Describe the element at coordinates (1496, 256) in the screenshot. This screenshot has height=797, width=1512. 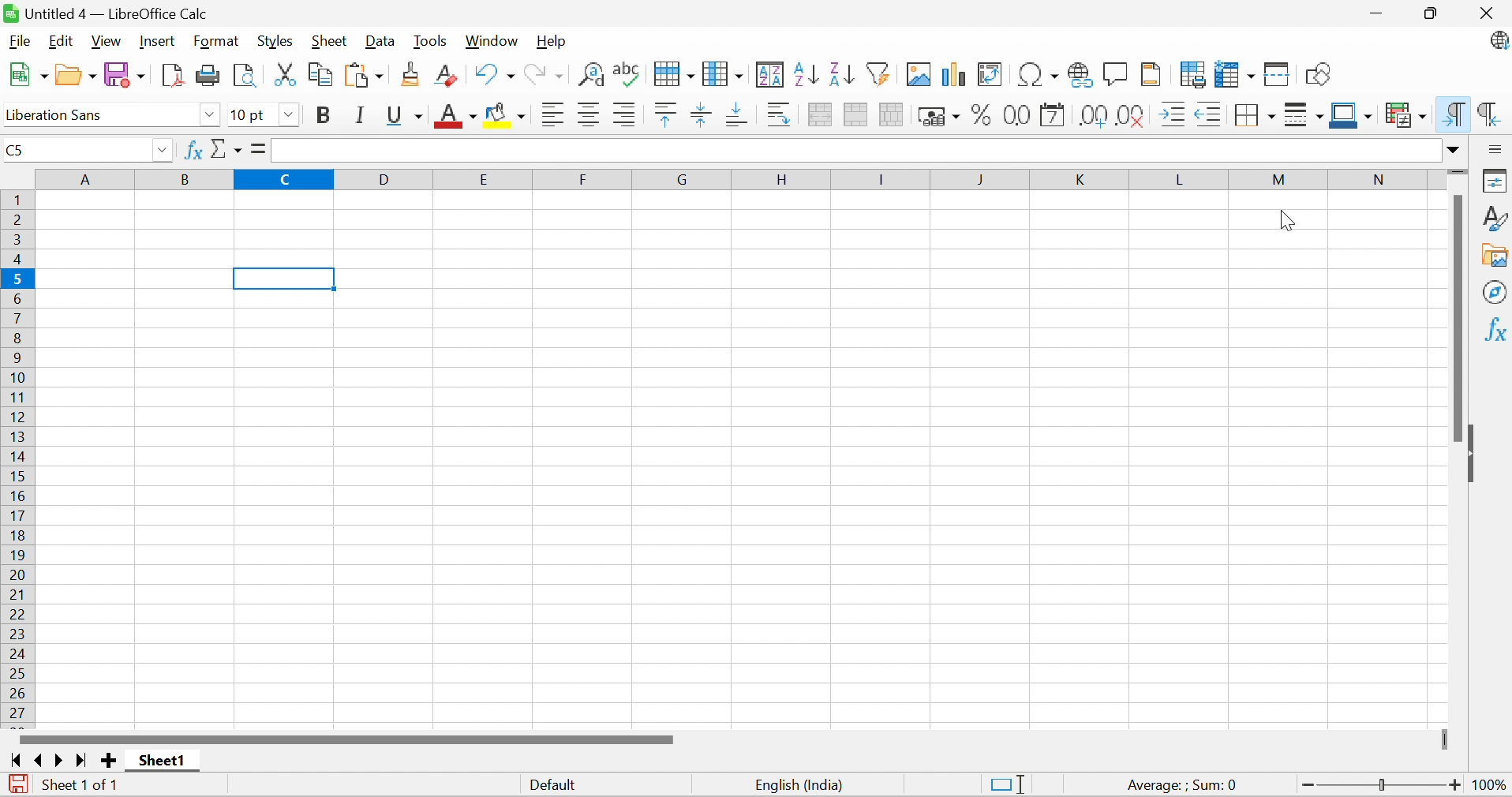
I see `Gallery` at that location.